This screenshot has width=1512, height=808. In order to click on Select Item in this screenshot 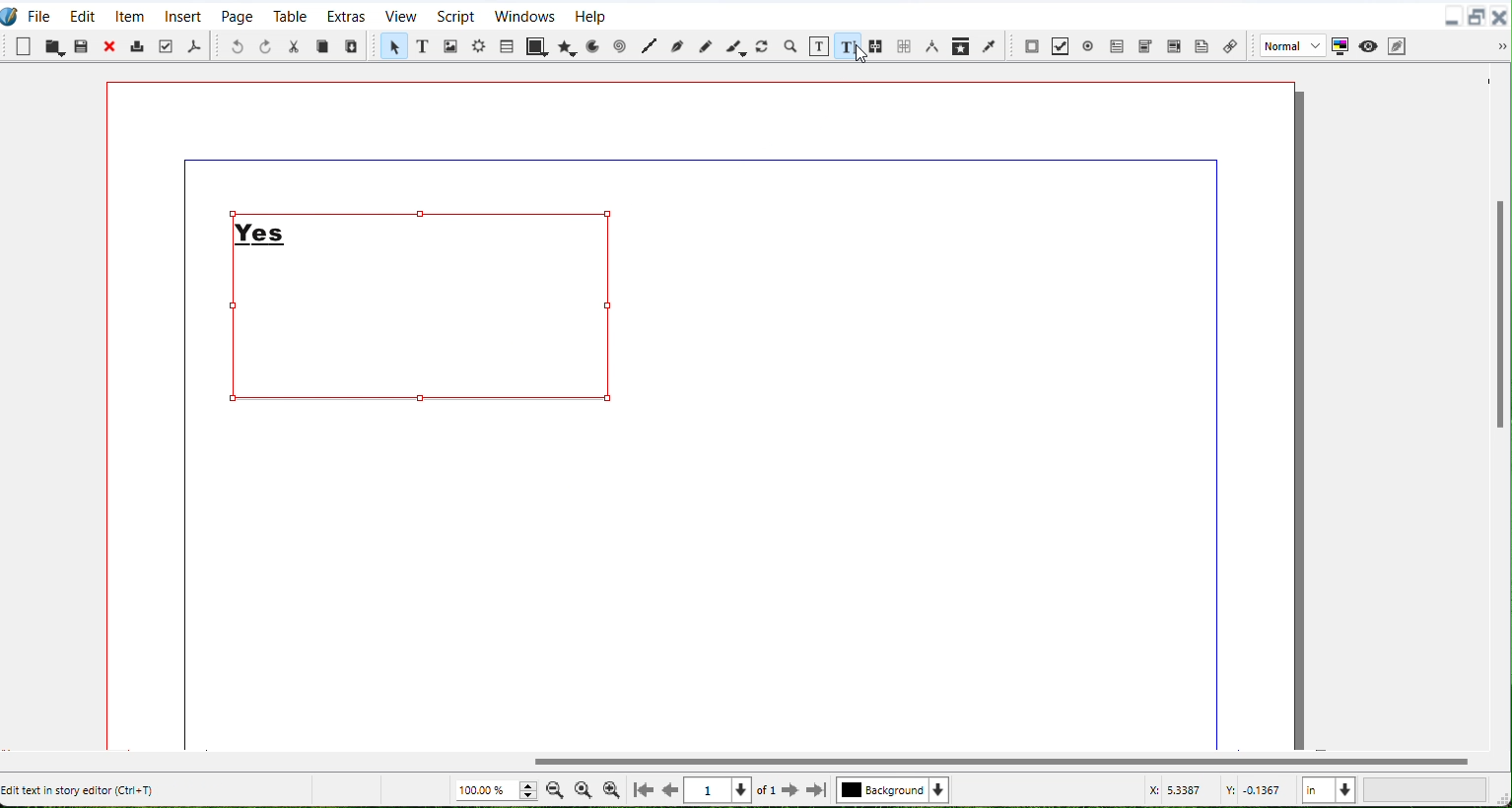, I will do `click(391, 47)`.